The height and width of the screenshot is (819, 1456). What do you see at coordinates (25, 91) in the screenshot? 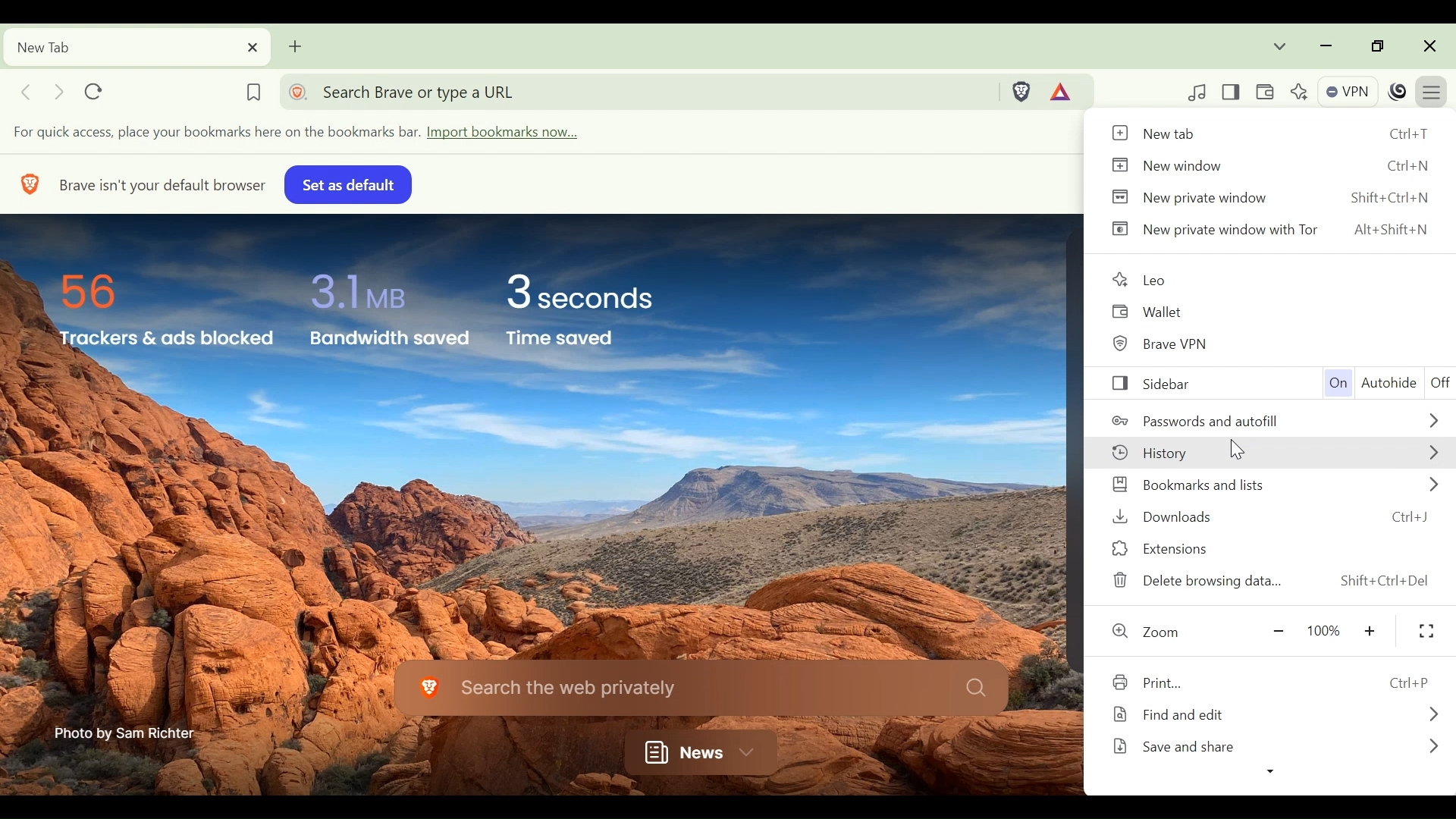
I see `Click to go back` at bounding box center [25, 91].